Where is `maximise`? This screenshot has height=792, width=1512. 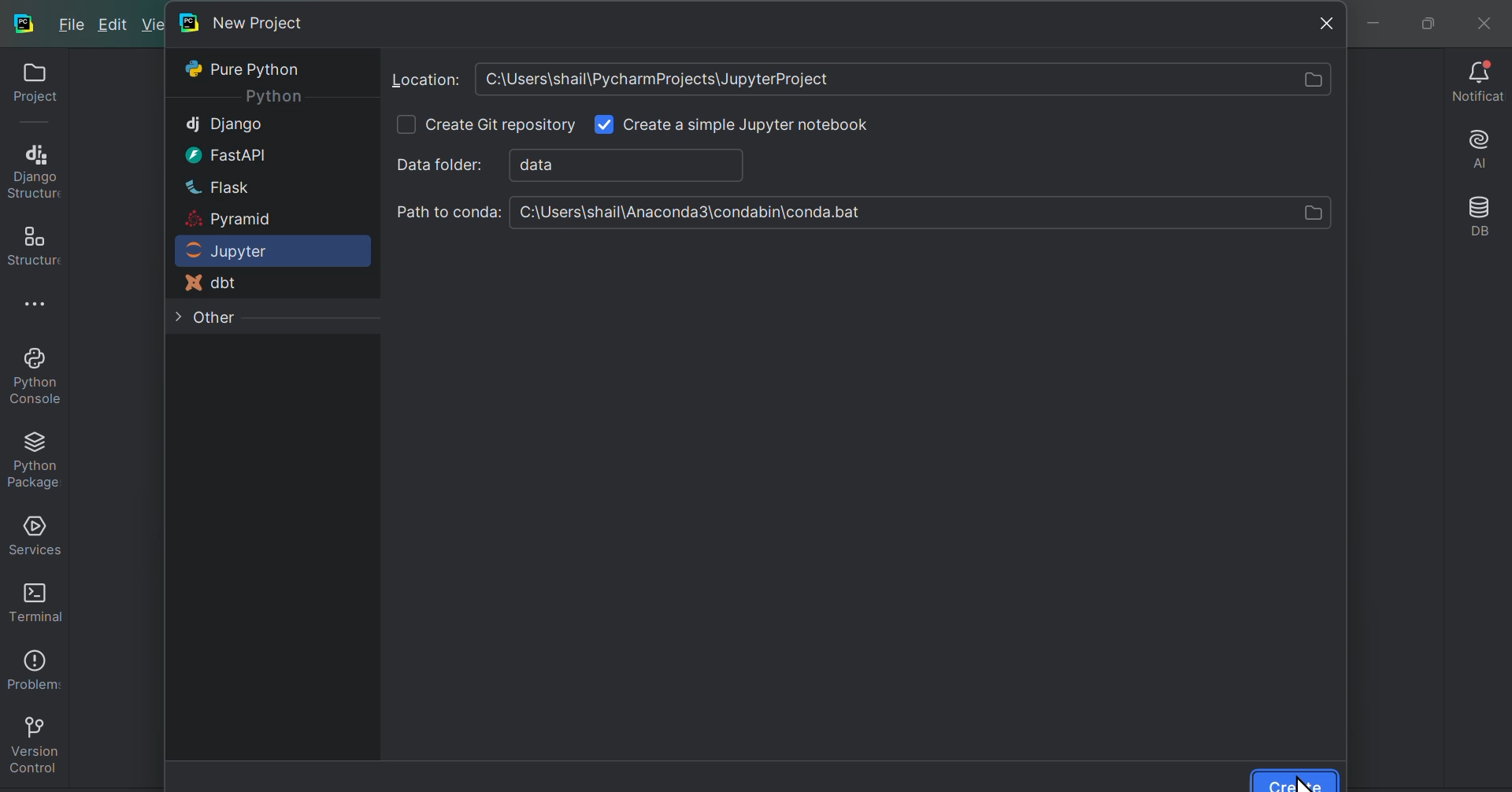 maximise is located at coordinates (1421, 20).